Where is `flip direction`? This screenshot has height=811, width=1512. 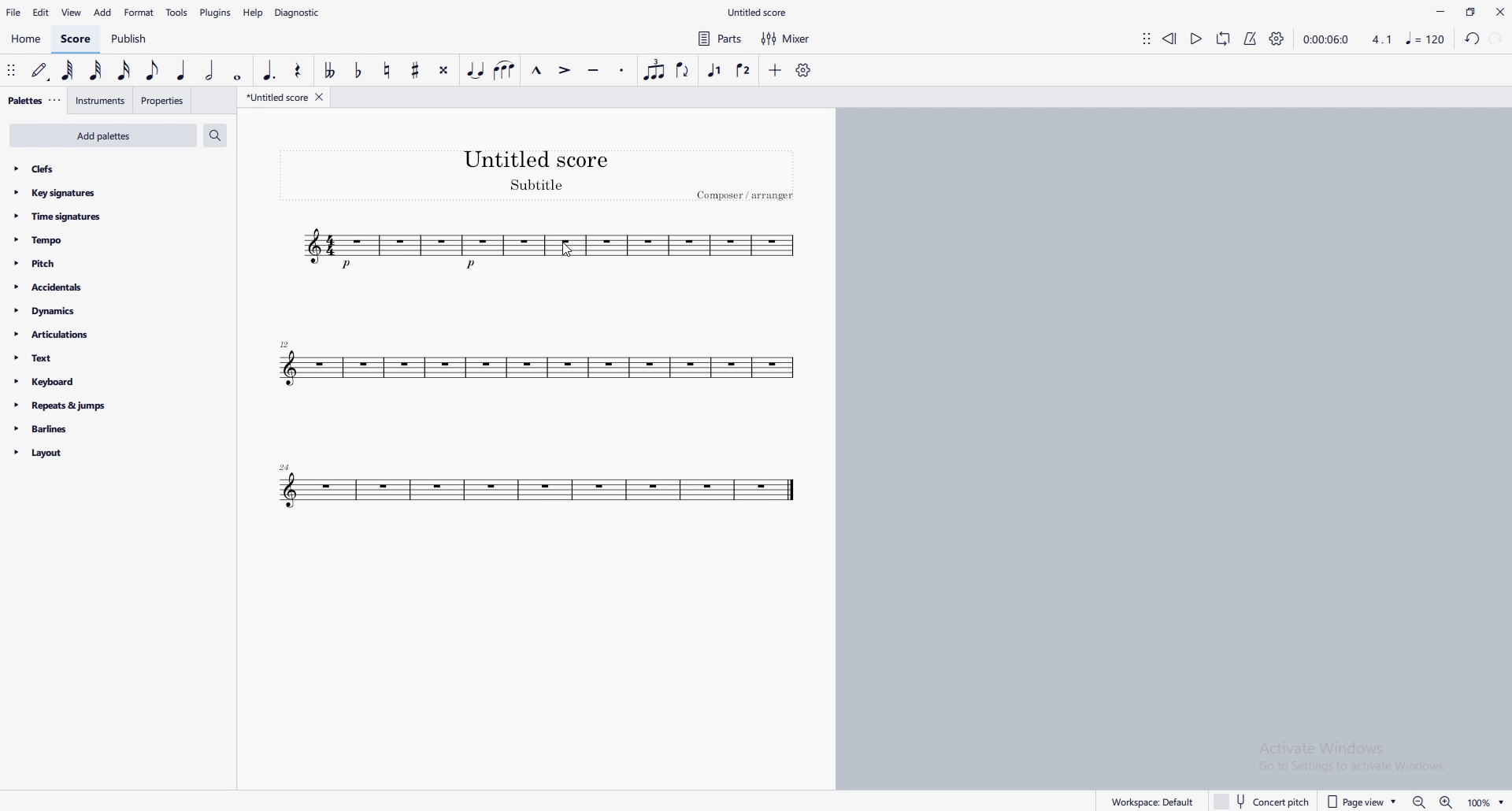 flip direction is located at coordinates (684, 70).